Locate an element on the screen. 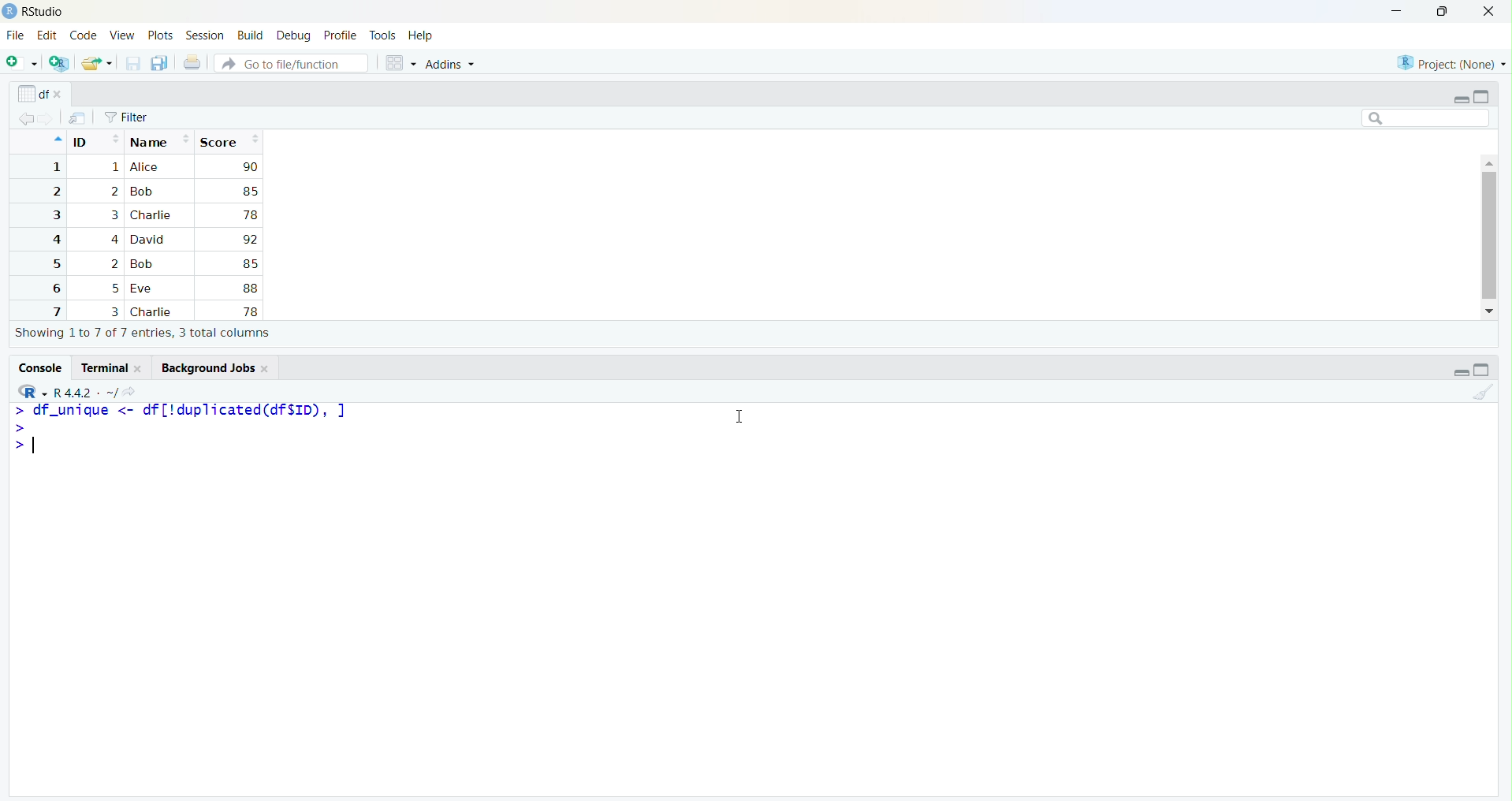  6 is located at coordinates (54, 288).